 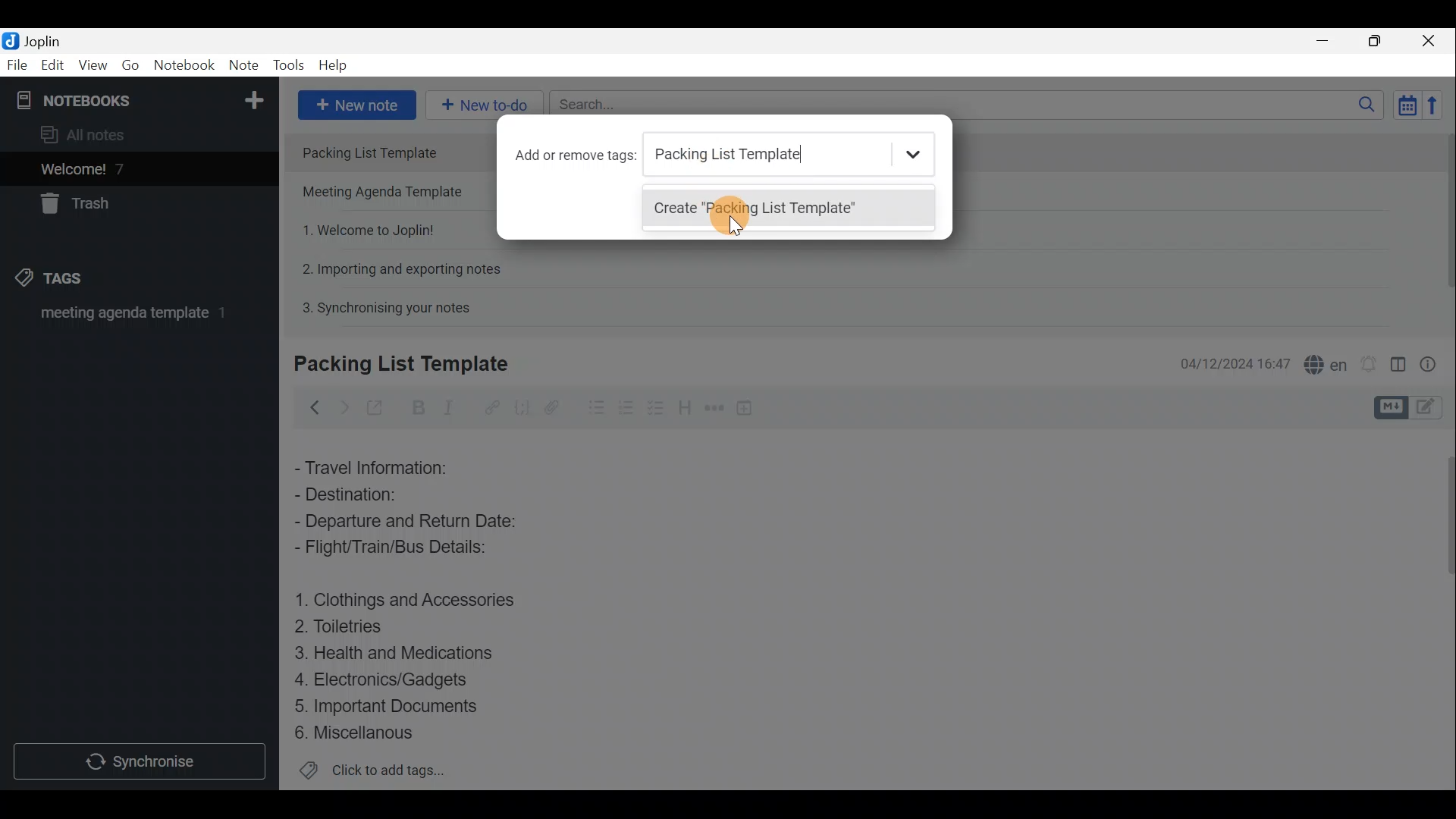 What do you see at coordinates (403, 654) in the screenshot?
I see `Health and Medications` at bounding box center [403, 654].